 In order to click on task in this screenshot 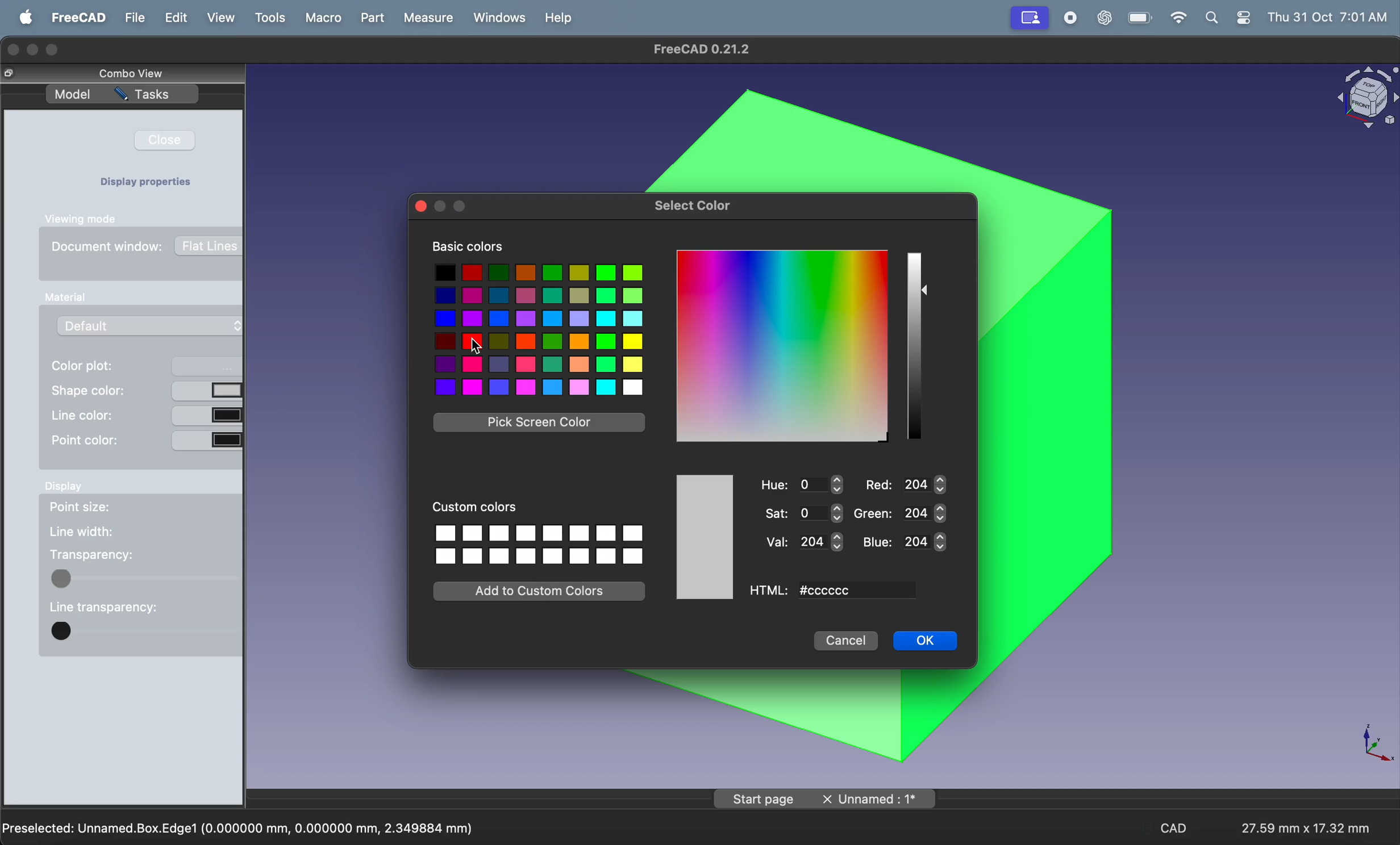, I will do `click(152, 97)`.